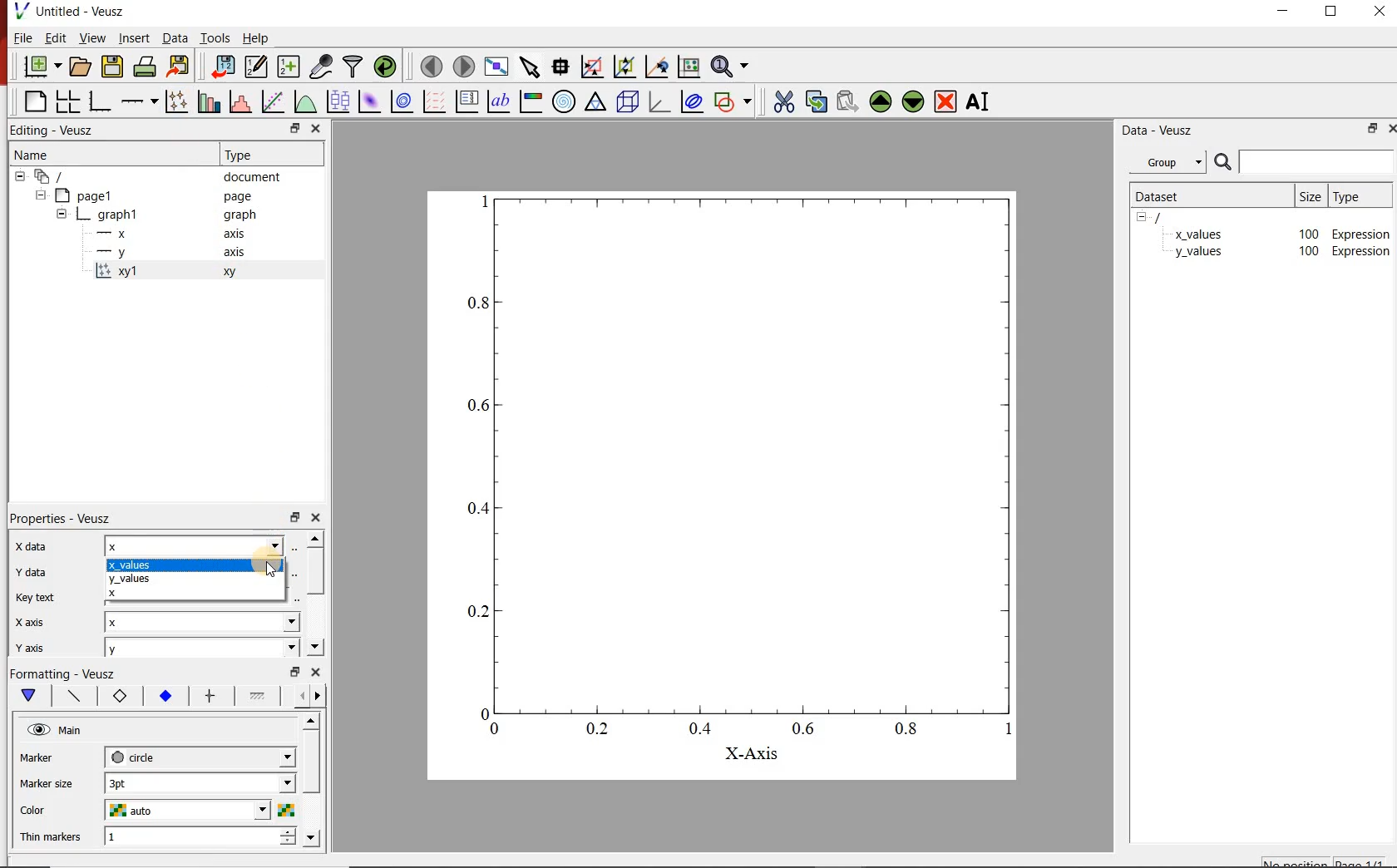 The image size is (1397, 868). I want to click on y_values, so click(1198, 253).